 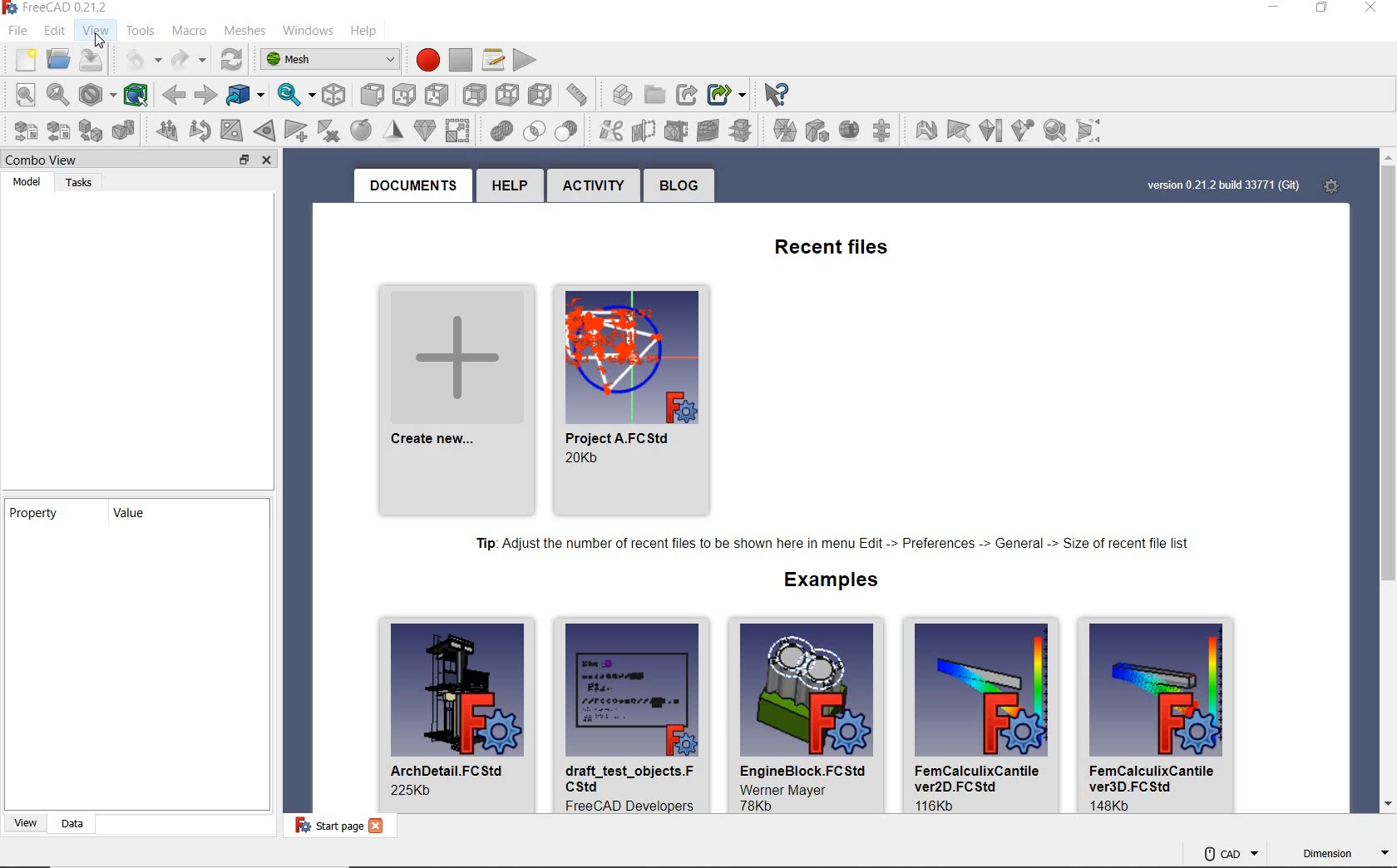 What do you see at coordinates (474, 92) in the screenshot?
I see `bottom` at bounding box center [474, 92].